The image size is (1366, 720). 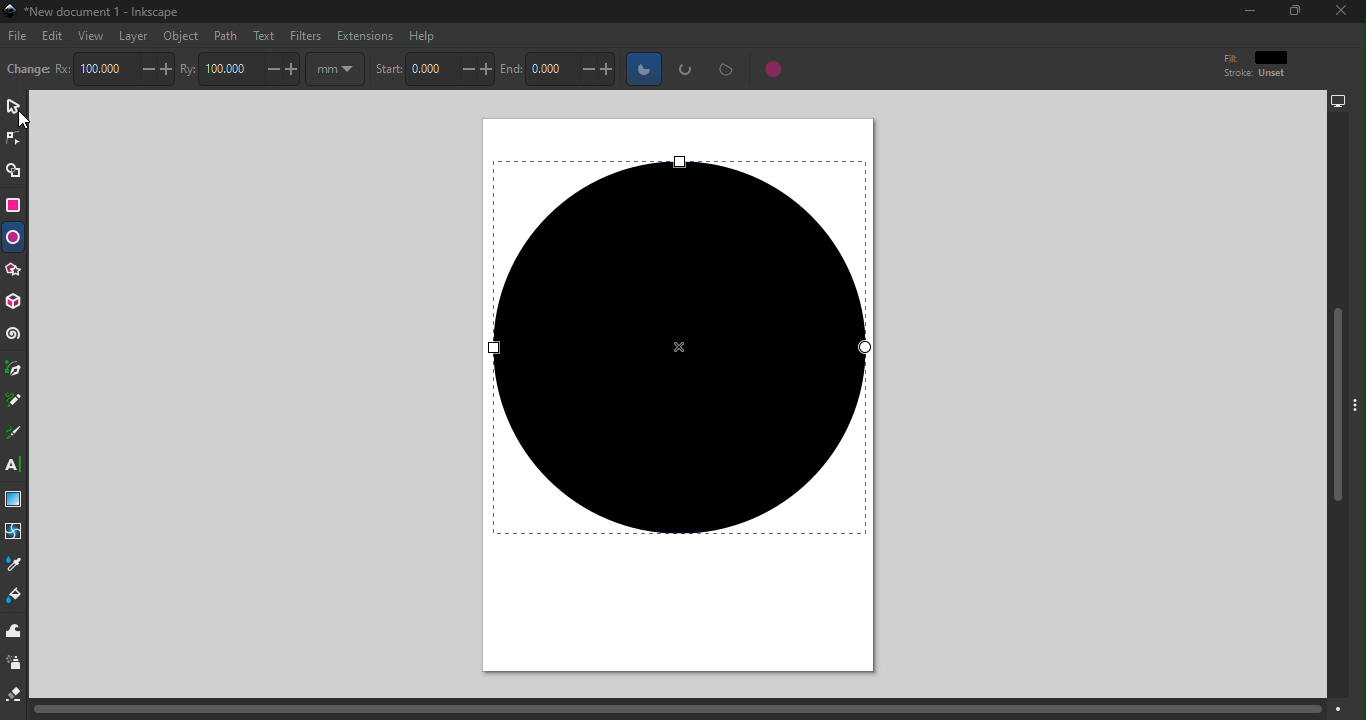 I want to click on Shape builder tool, so click(x=14, y=171).